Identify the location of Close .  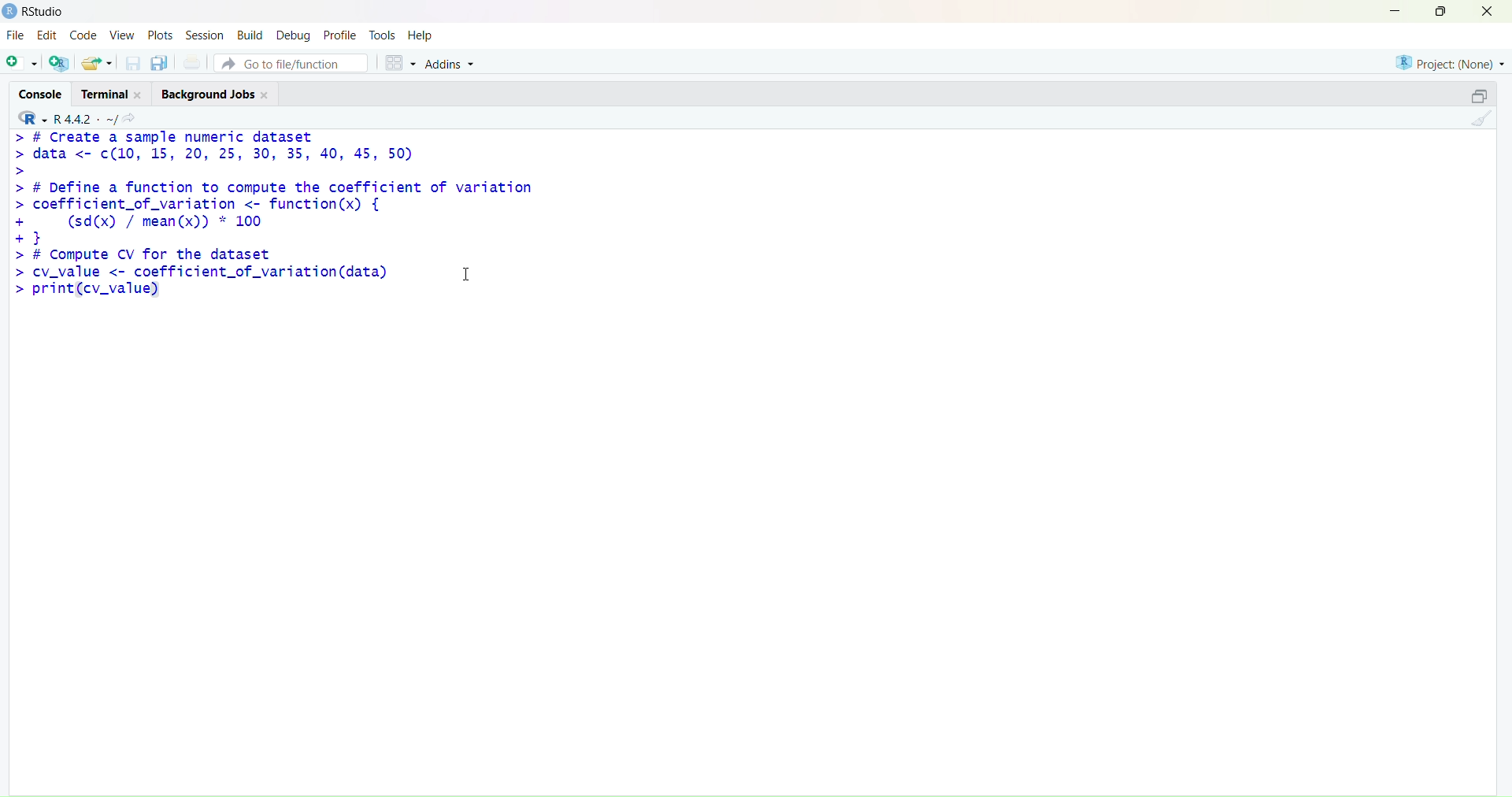
(139, 95).